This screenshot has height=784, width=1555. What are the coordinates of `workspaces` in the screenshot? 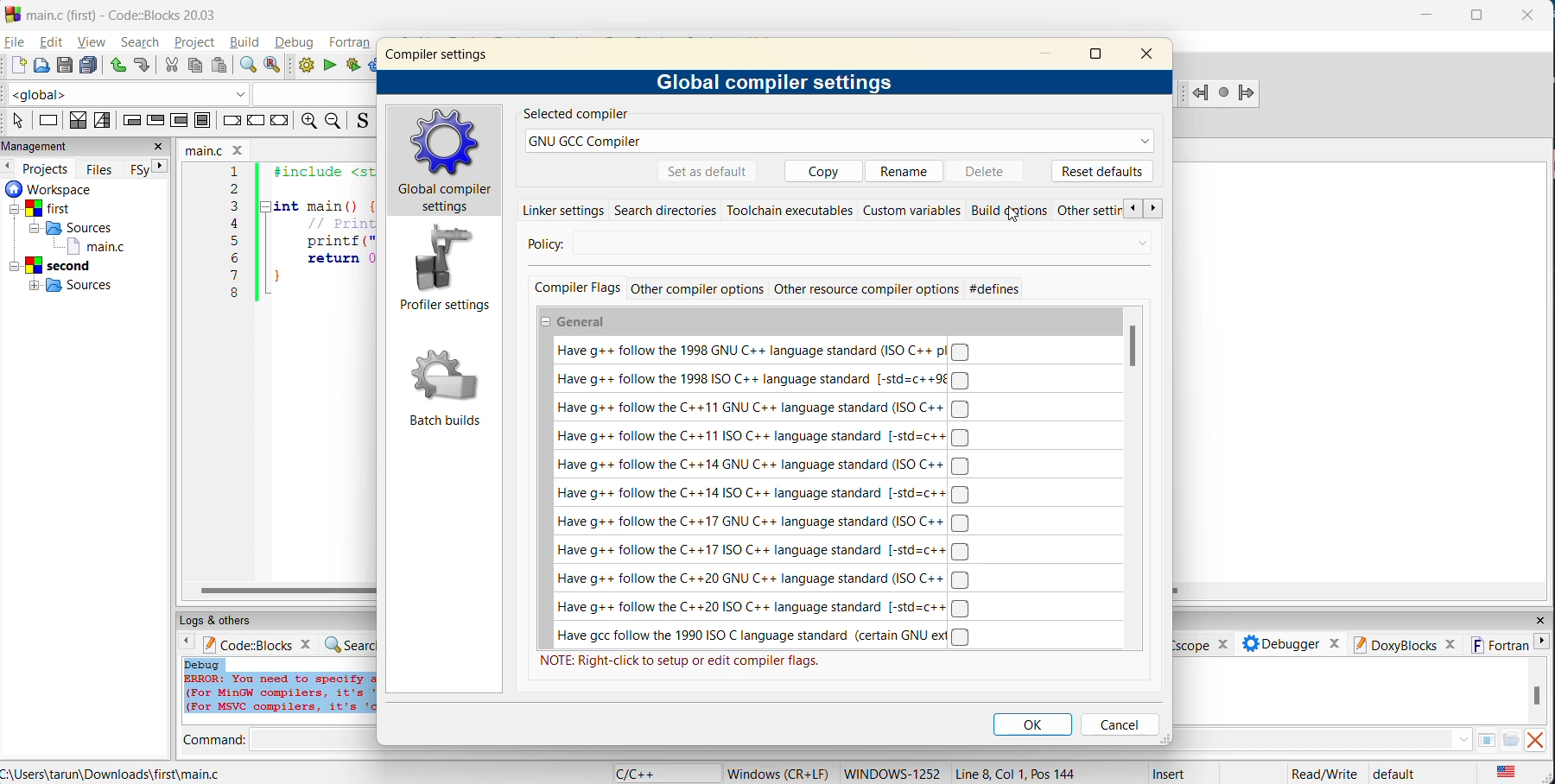 It's located at (75, 242).